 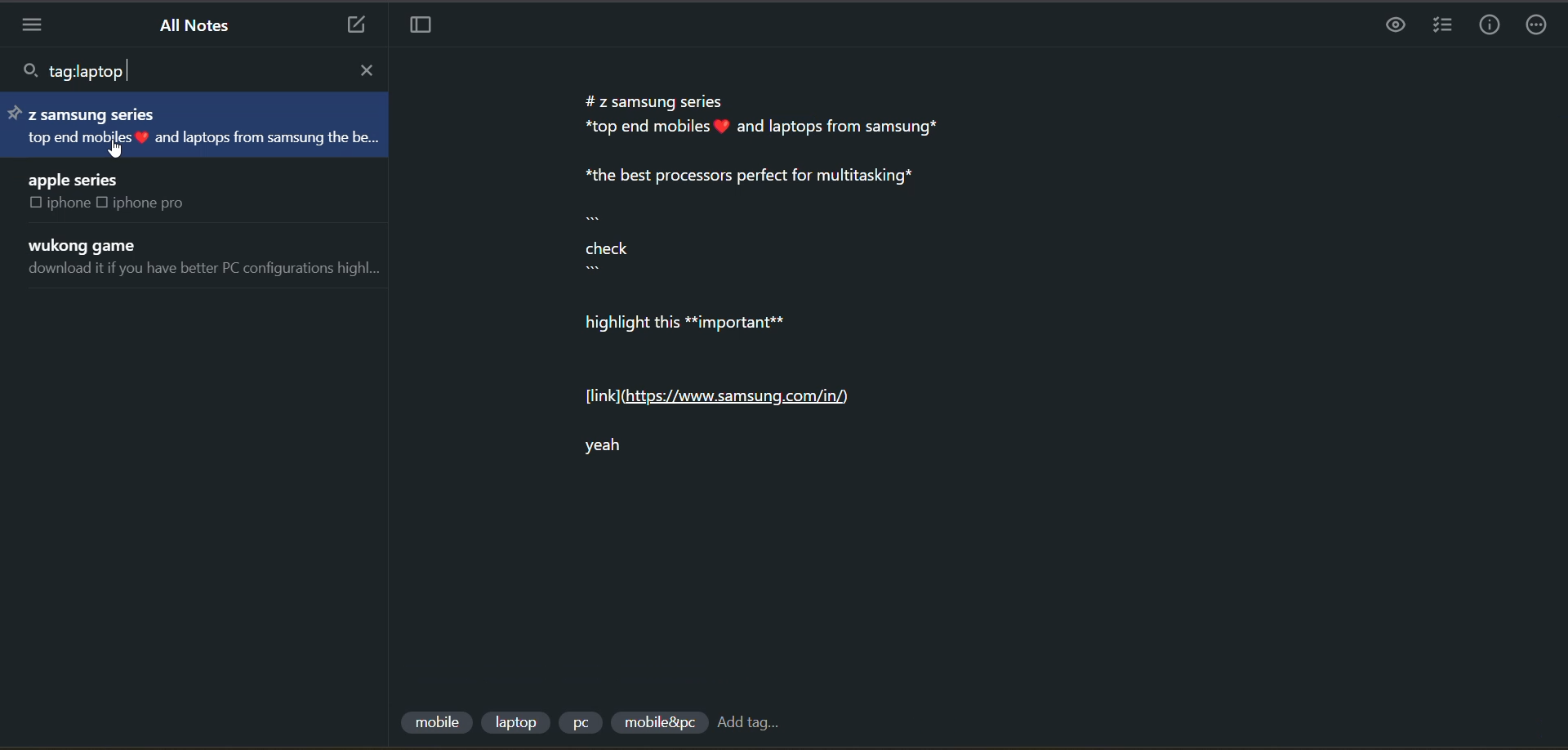 What do you see at coordinates (197, 25) in the screenshot?
I see `all notes` at bounding box center [197, 25].